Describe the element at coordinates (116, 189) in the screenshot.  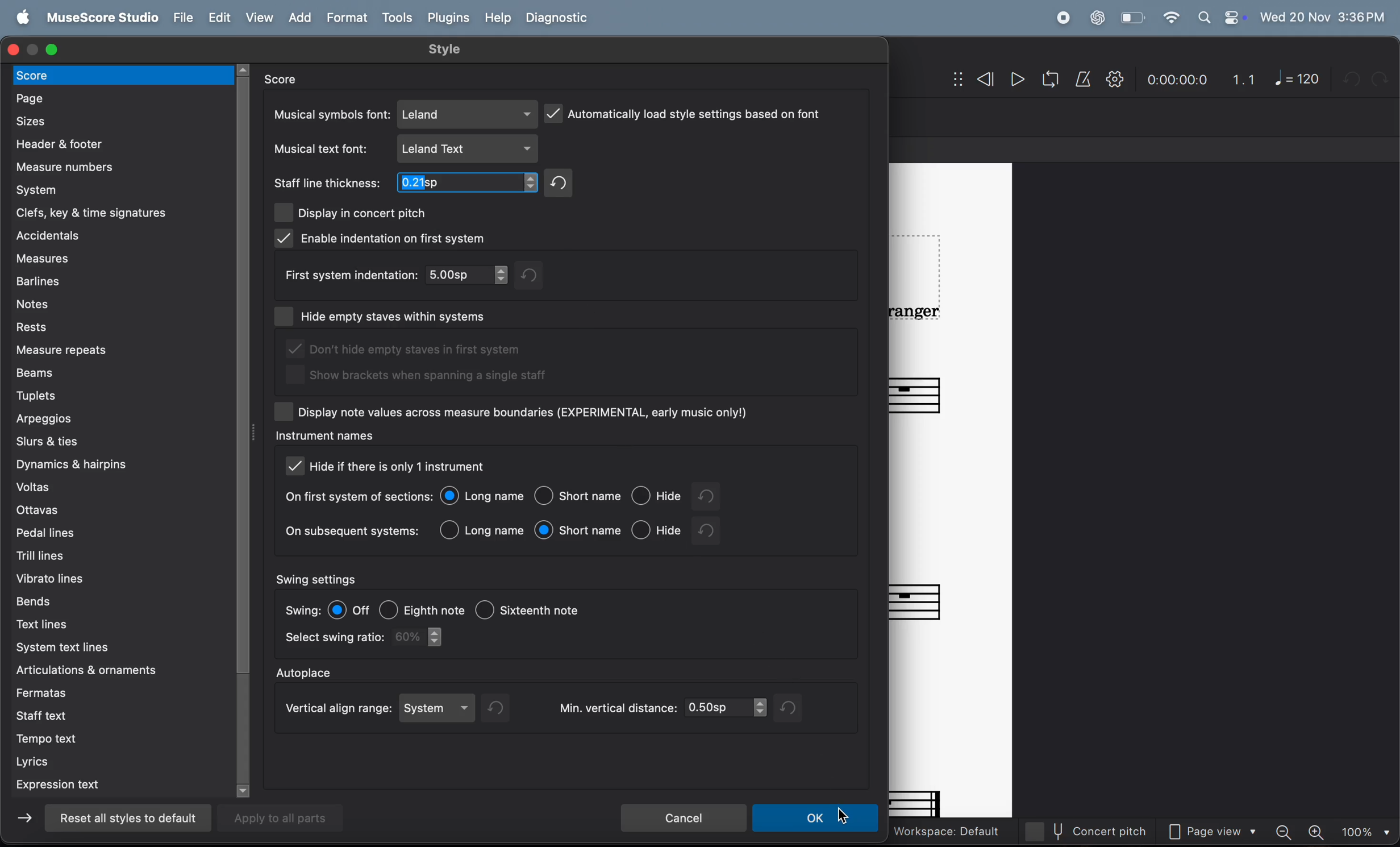
I see `system` at that location.